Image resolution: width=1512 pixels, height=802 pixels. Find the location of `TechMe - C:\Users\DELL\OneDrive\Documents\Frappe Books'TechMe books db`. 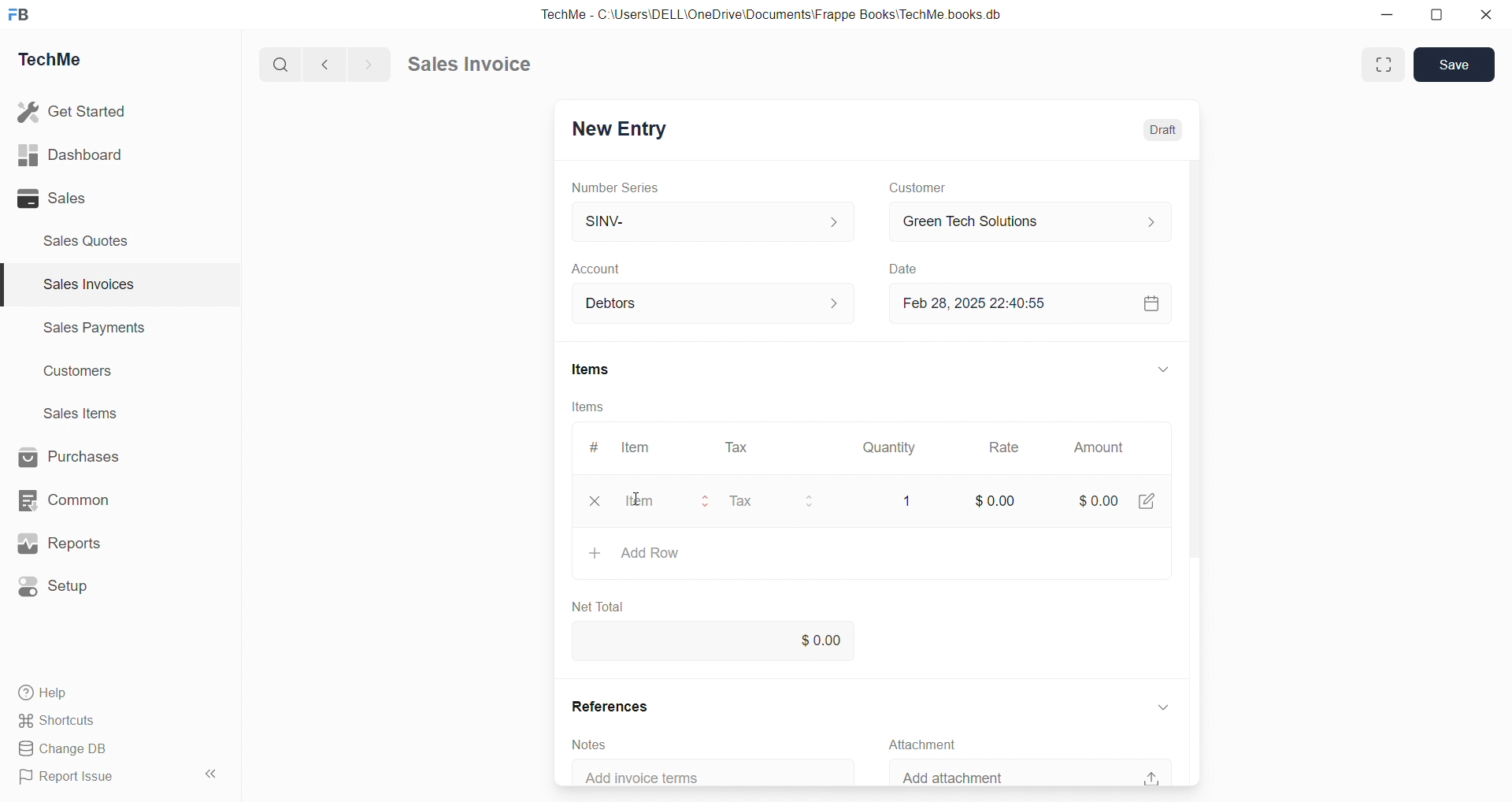

TechMe - C:\Users\DELL\OneDrive\Documents\Frappe Books'TechMe books db is located at coordinates (775, 14).